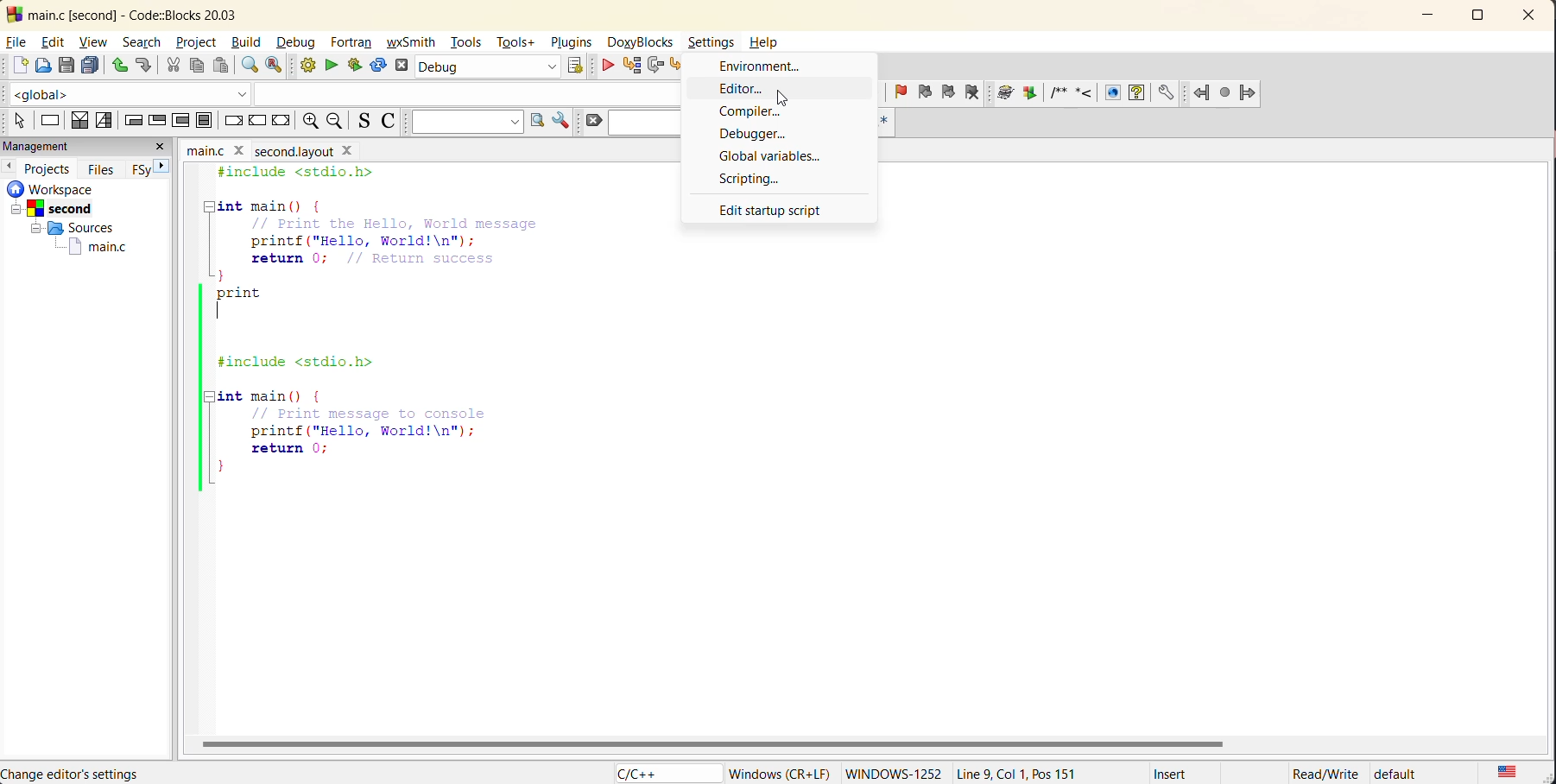  I want to click on previous bookmark, so click(923, 92).